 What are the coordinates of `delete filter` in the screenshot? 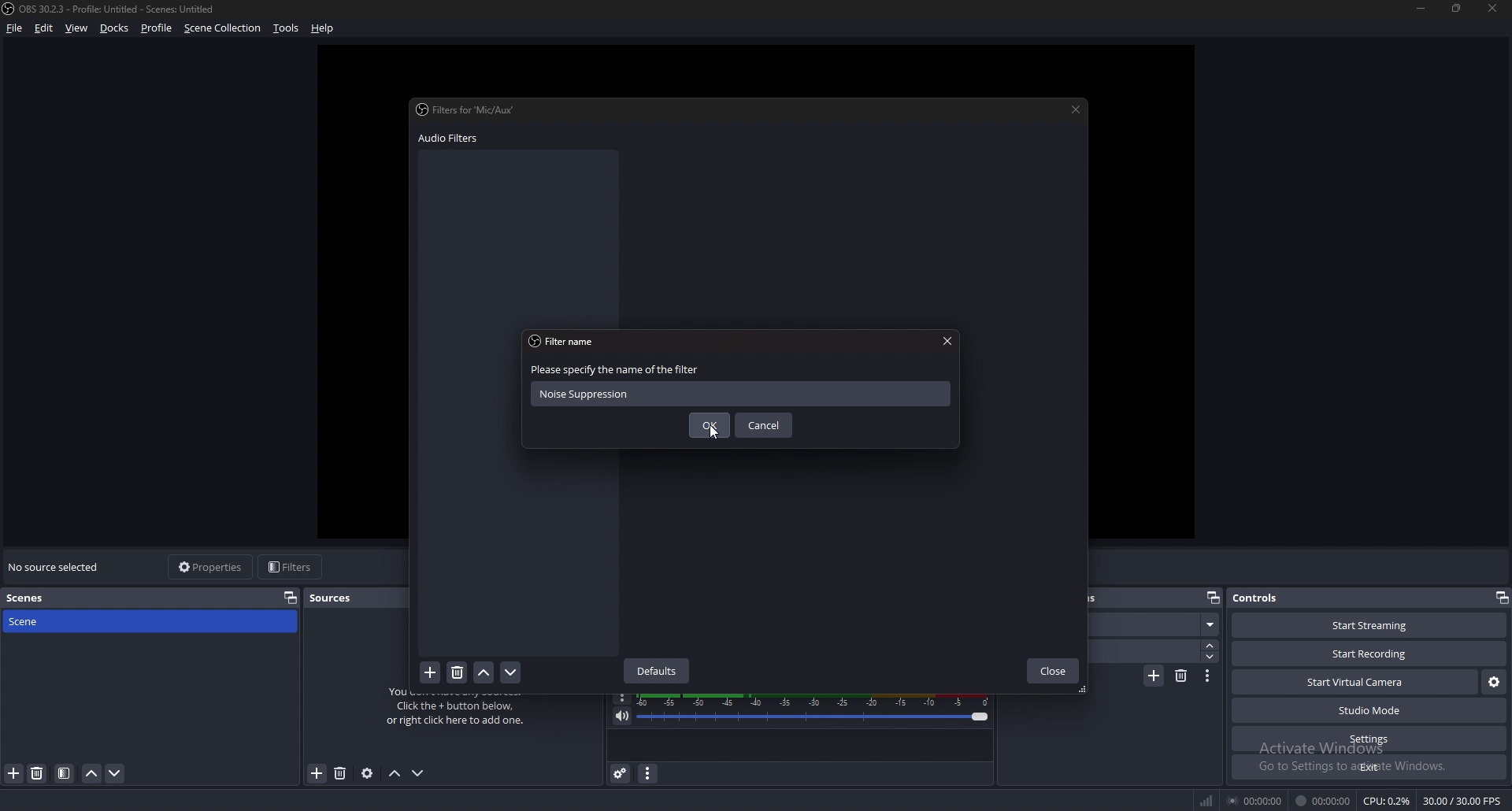 It's located at (458, 671).